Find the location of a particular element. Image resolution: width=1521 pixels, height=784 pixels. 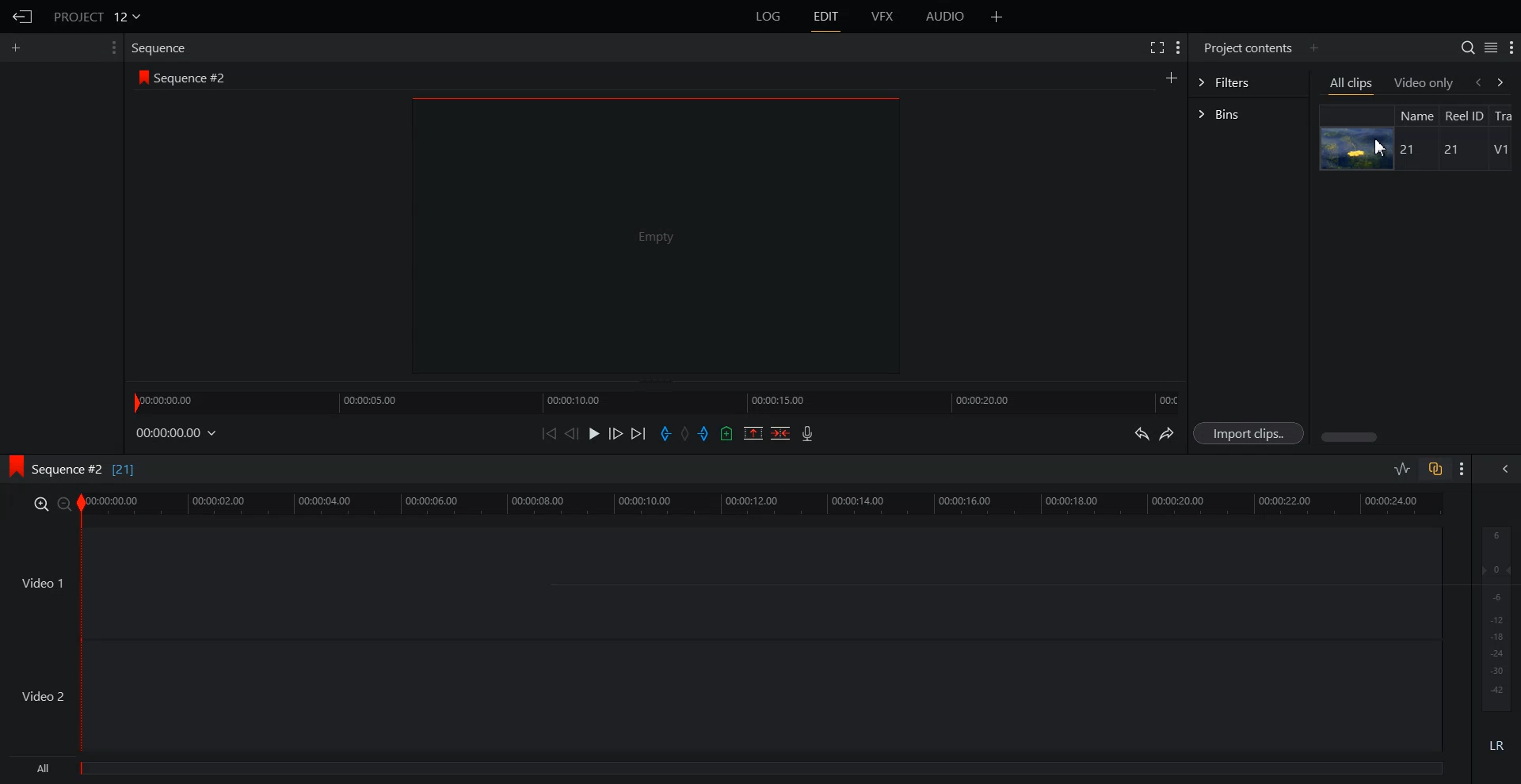

Show Setting Menu is located at coordinates (1462, 470).